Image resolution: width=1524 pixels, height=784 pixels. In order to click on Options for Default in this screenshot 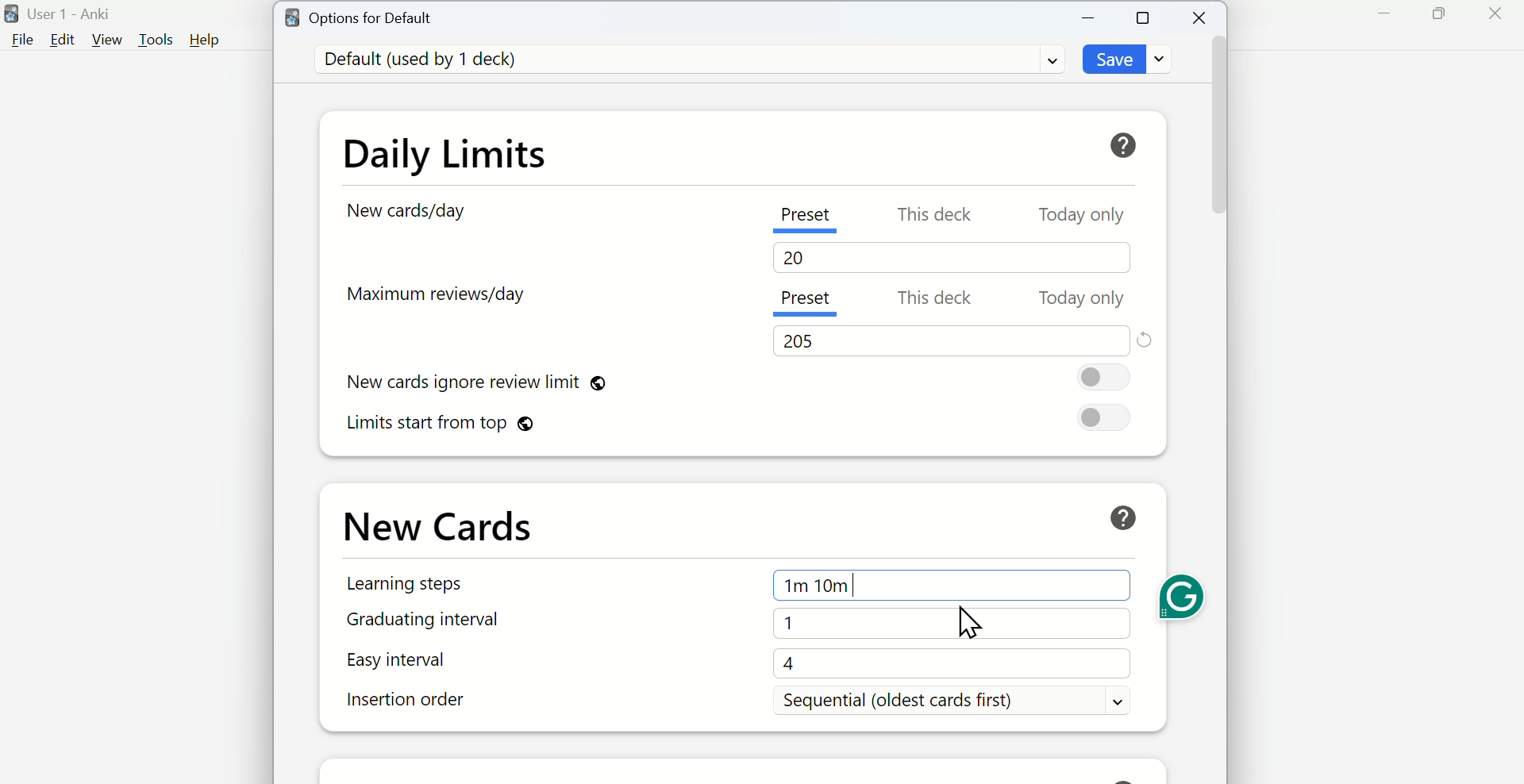, I will do `click(369, 18)`.